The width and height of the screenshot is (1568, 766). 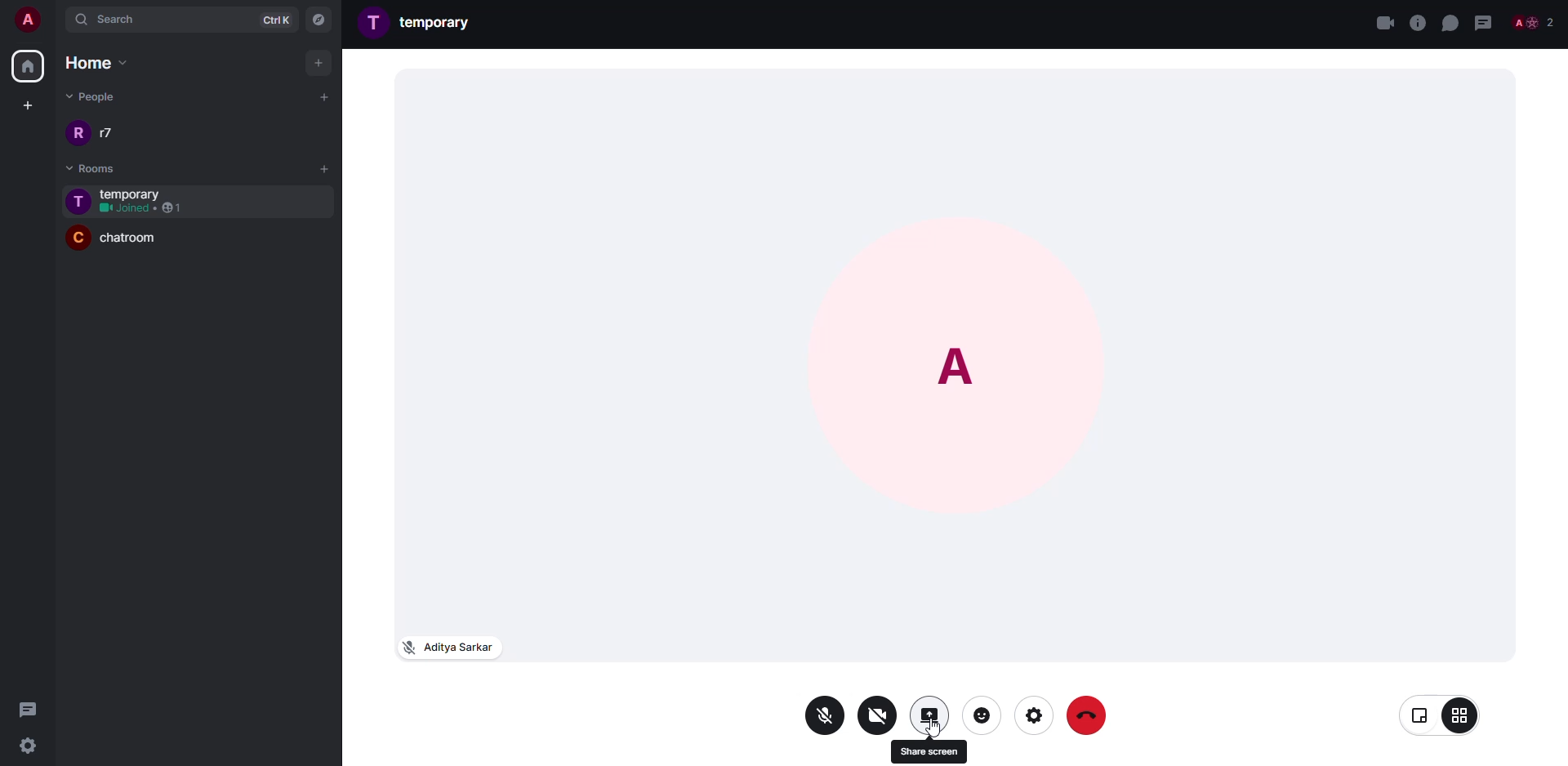 I want to click on people, so click(x=1535, y=22).